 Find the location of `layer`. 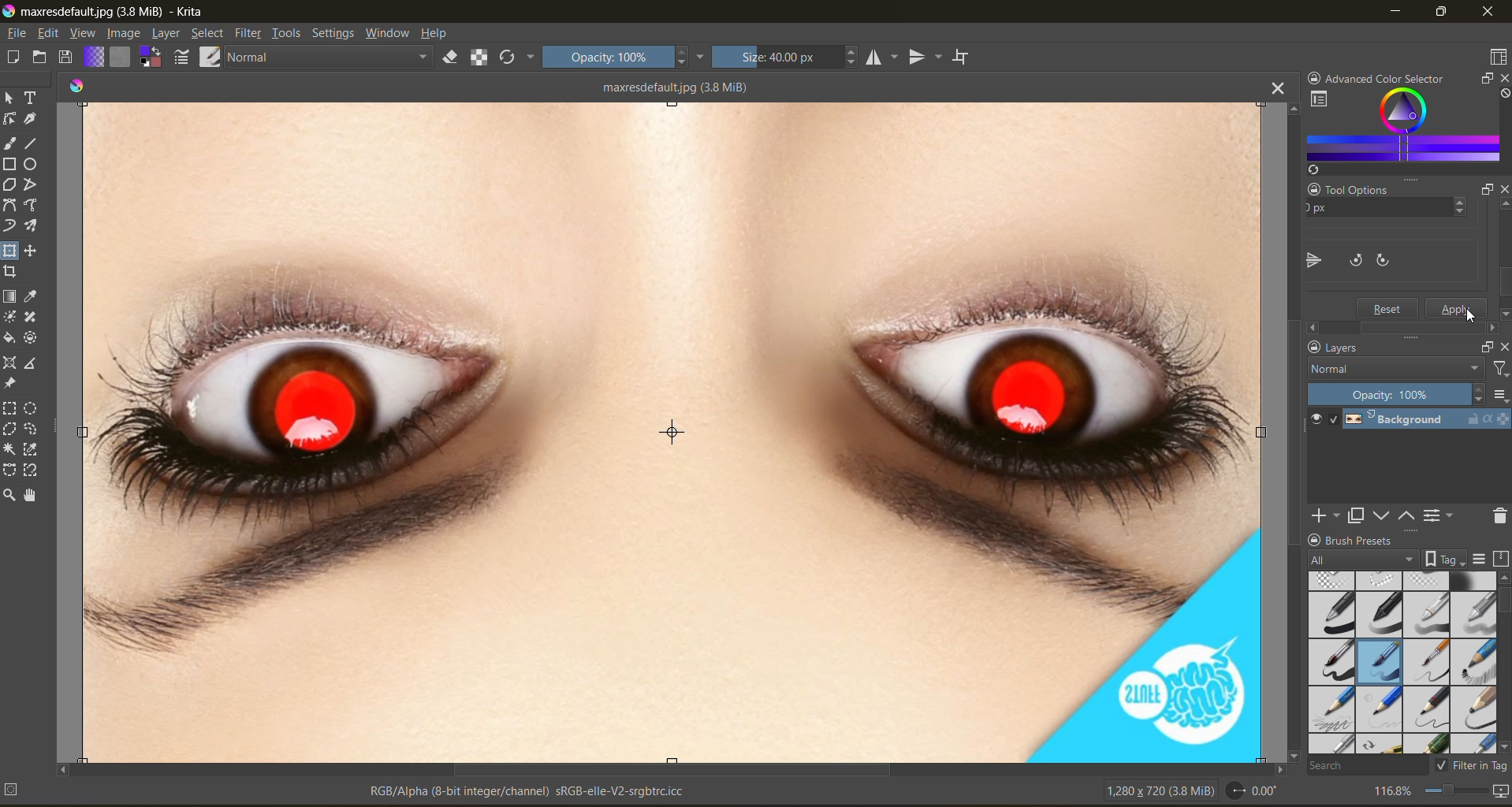

layer is located at coordinates (1429, 420).